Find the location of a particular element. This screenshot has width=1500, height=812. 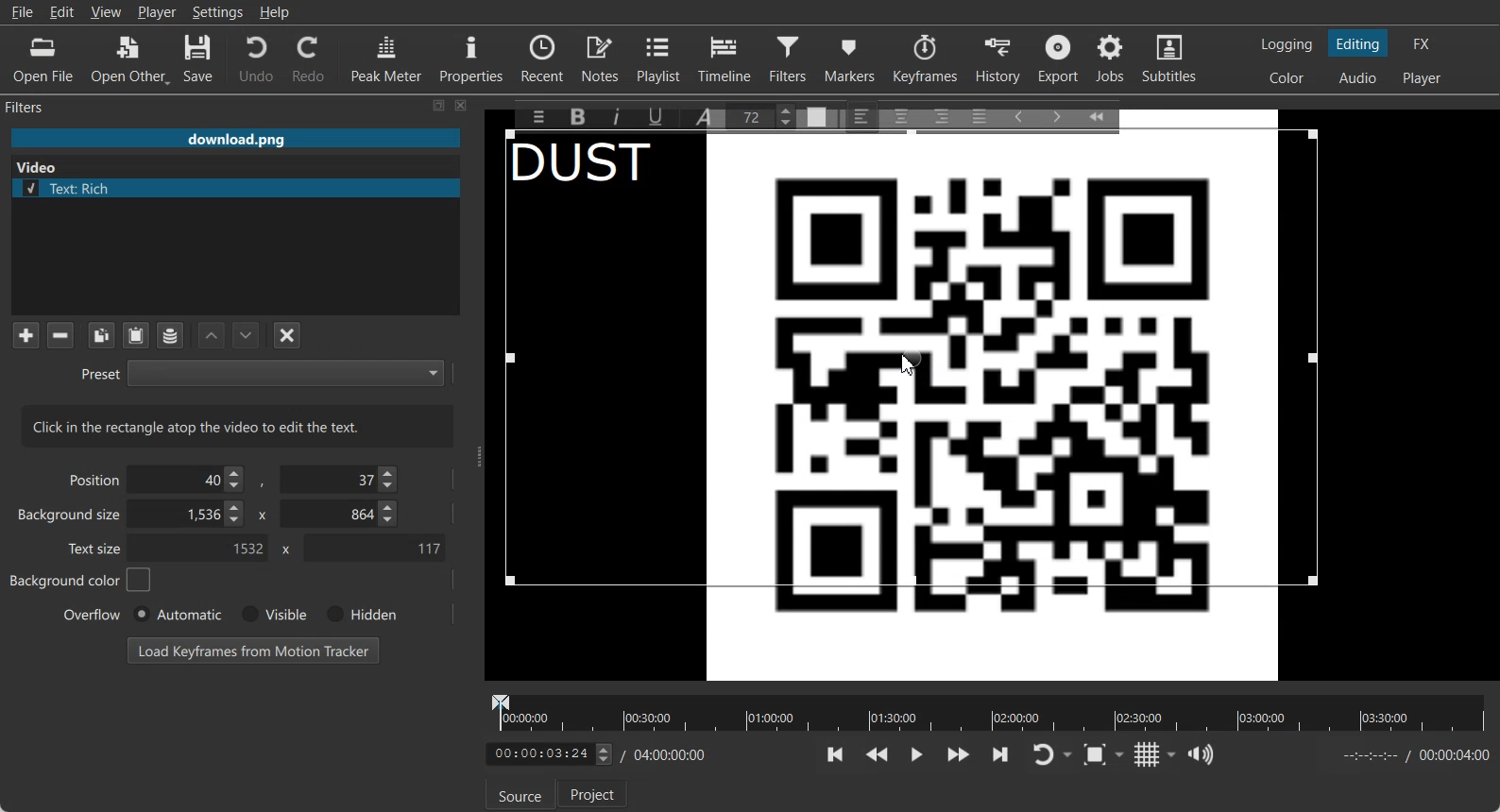

Switching to the logging layout is located at coordinates (1287, 44).